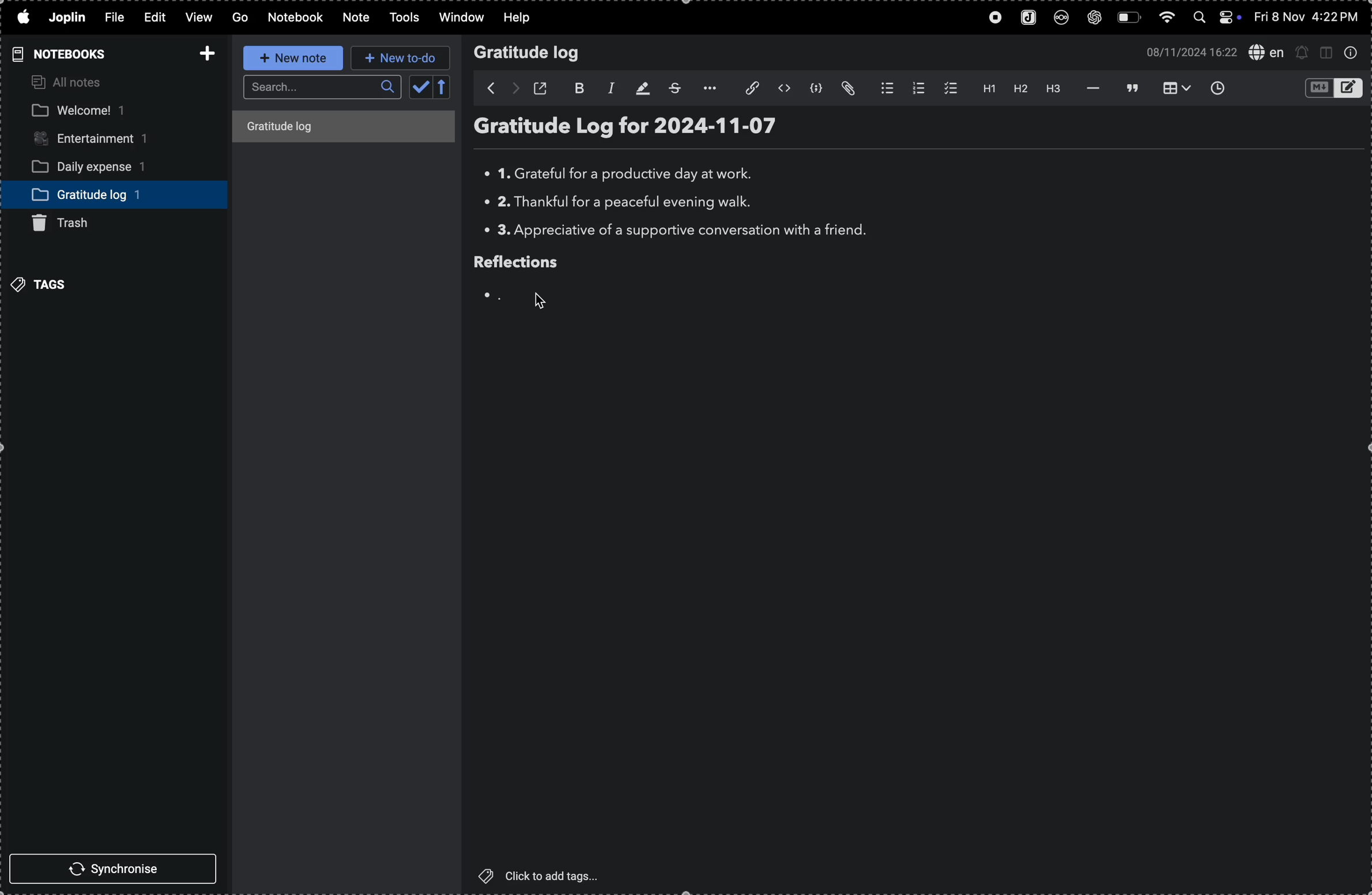  Describe the element at coordinates (61, 222) in the screenshot. I see `trash` at that location.